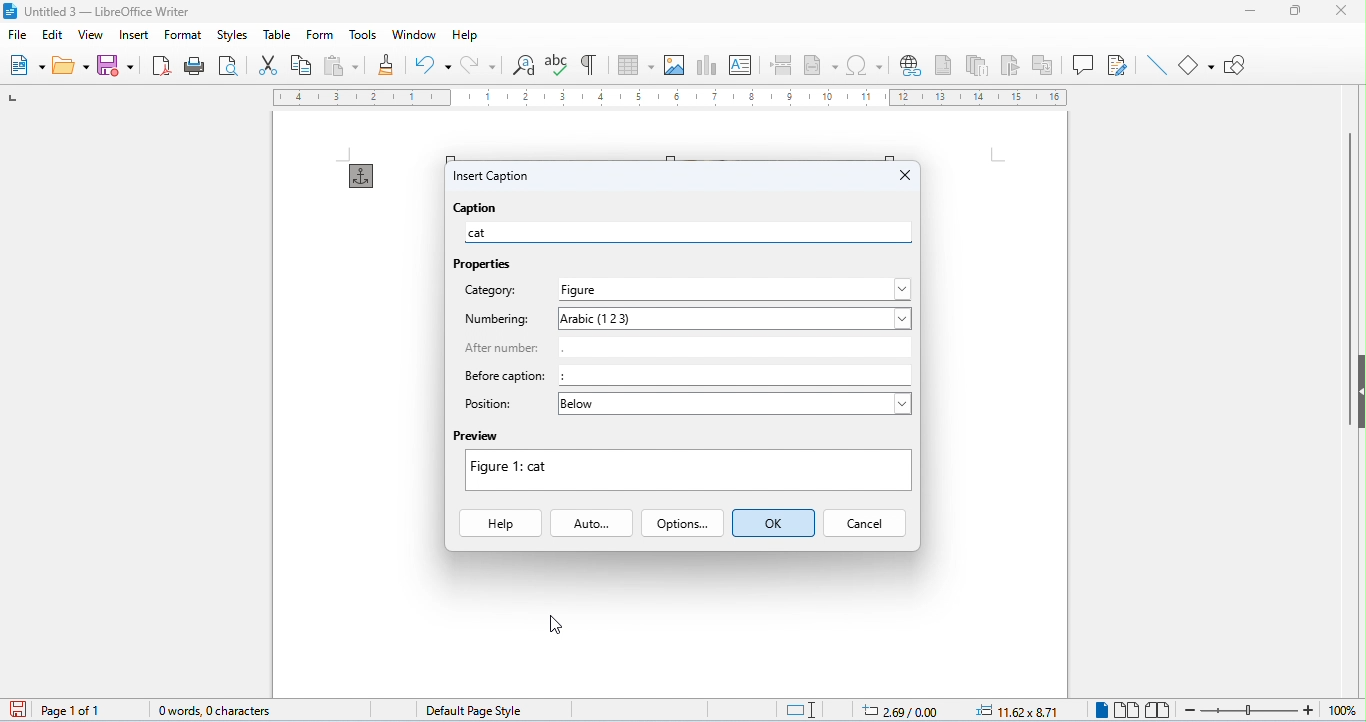 This screenshot has width=1366, height=722. Describe the element at coordinates (523, 67) in the screenshot. I see `find and replace` at that location.